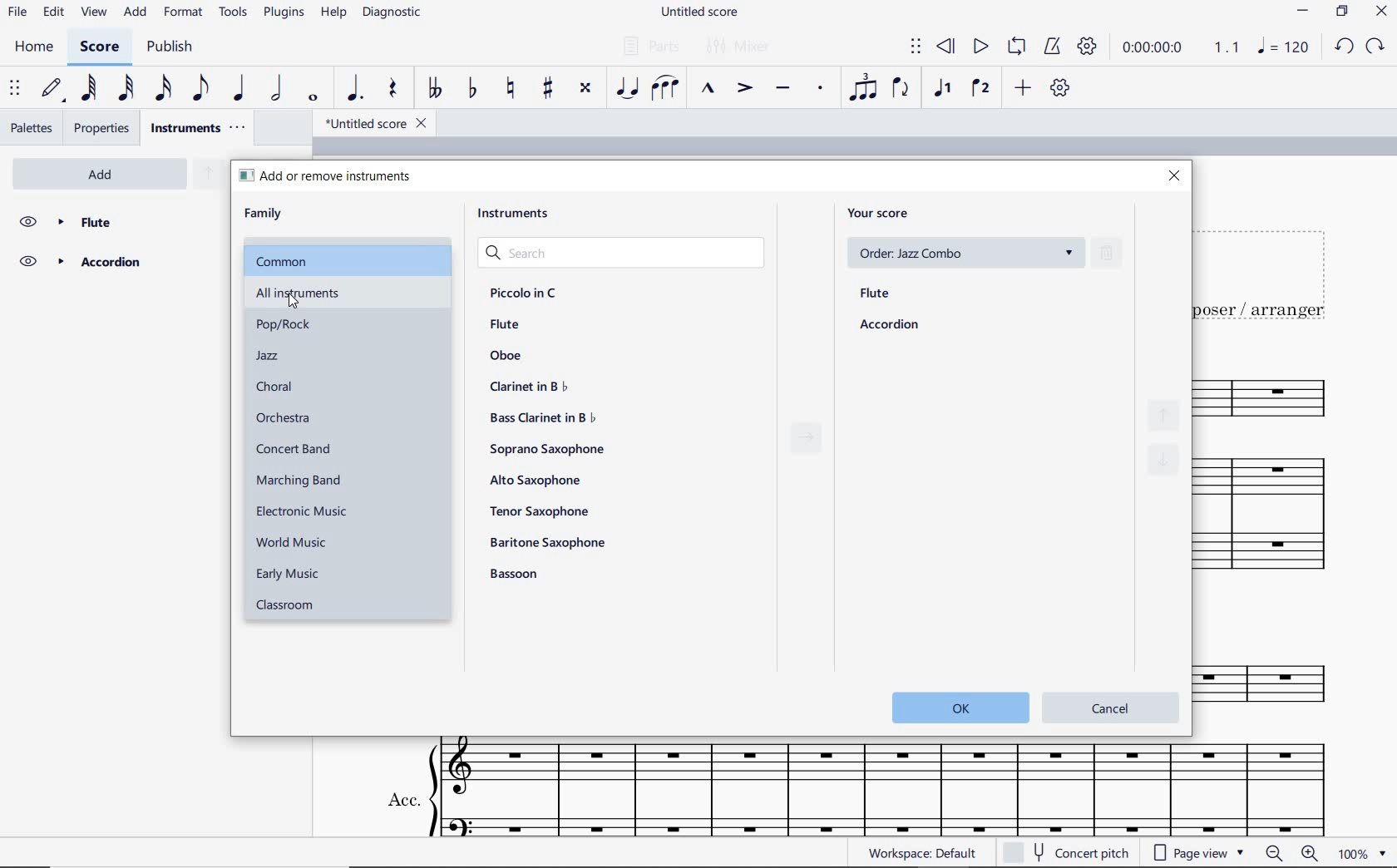 The height and width of the screenshot is (868, 1397). Describe the element at coordinates (1341, 12) in the screenshot. I see `RESTORE DOWN` at that location.